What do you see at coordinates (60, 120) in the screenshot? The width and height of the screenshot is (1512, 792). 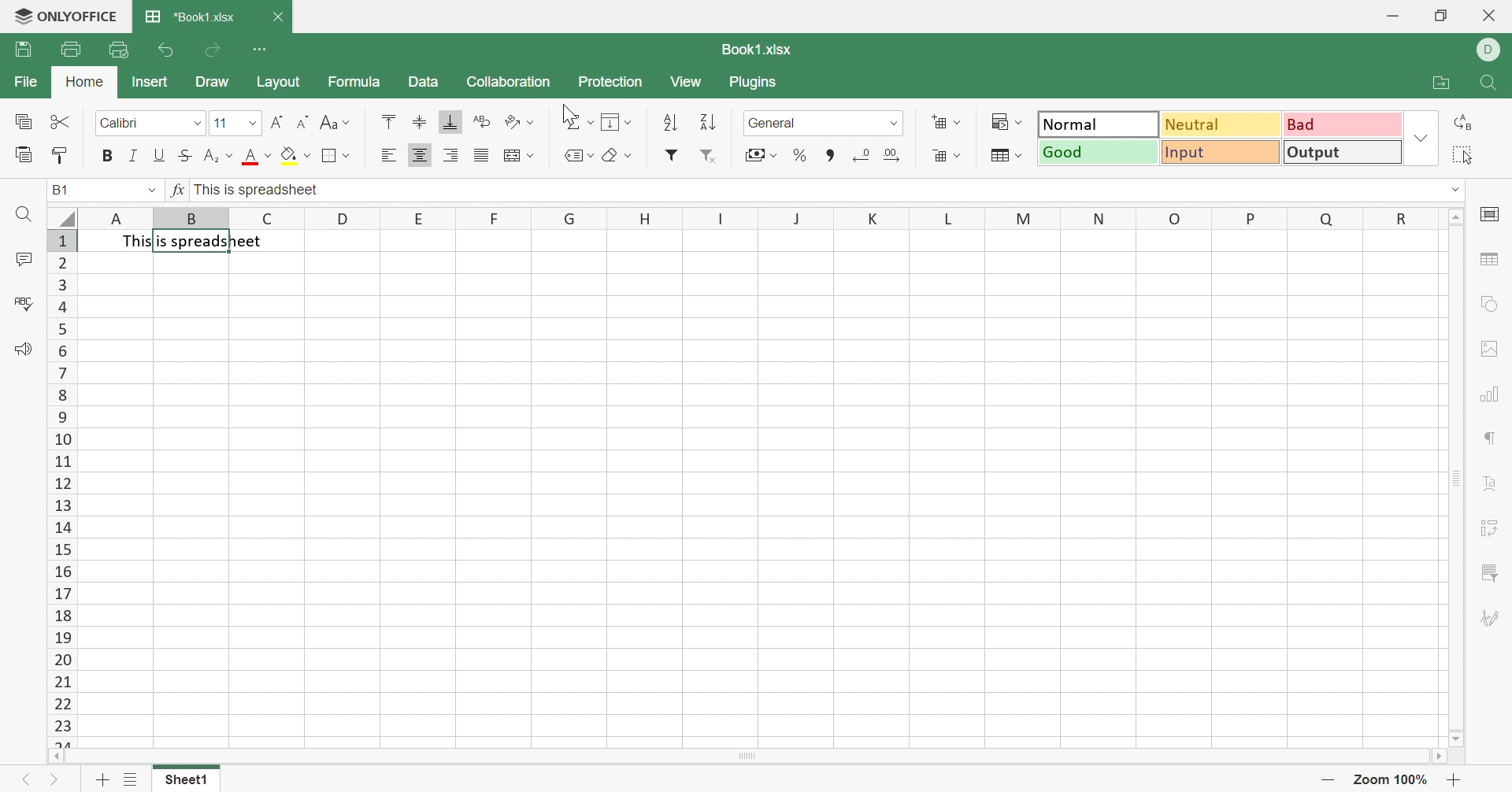 I see `Cut` at bounding box center [60, 120].